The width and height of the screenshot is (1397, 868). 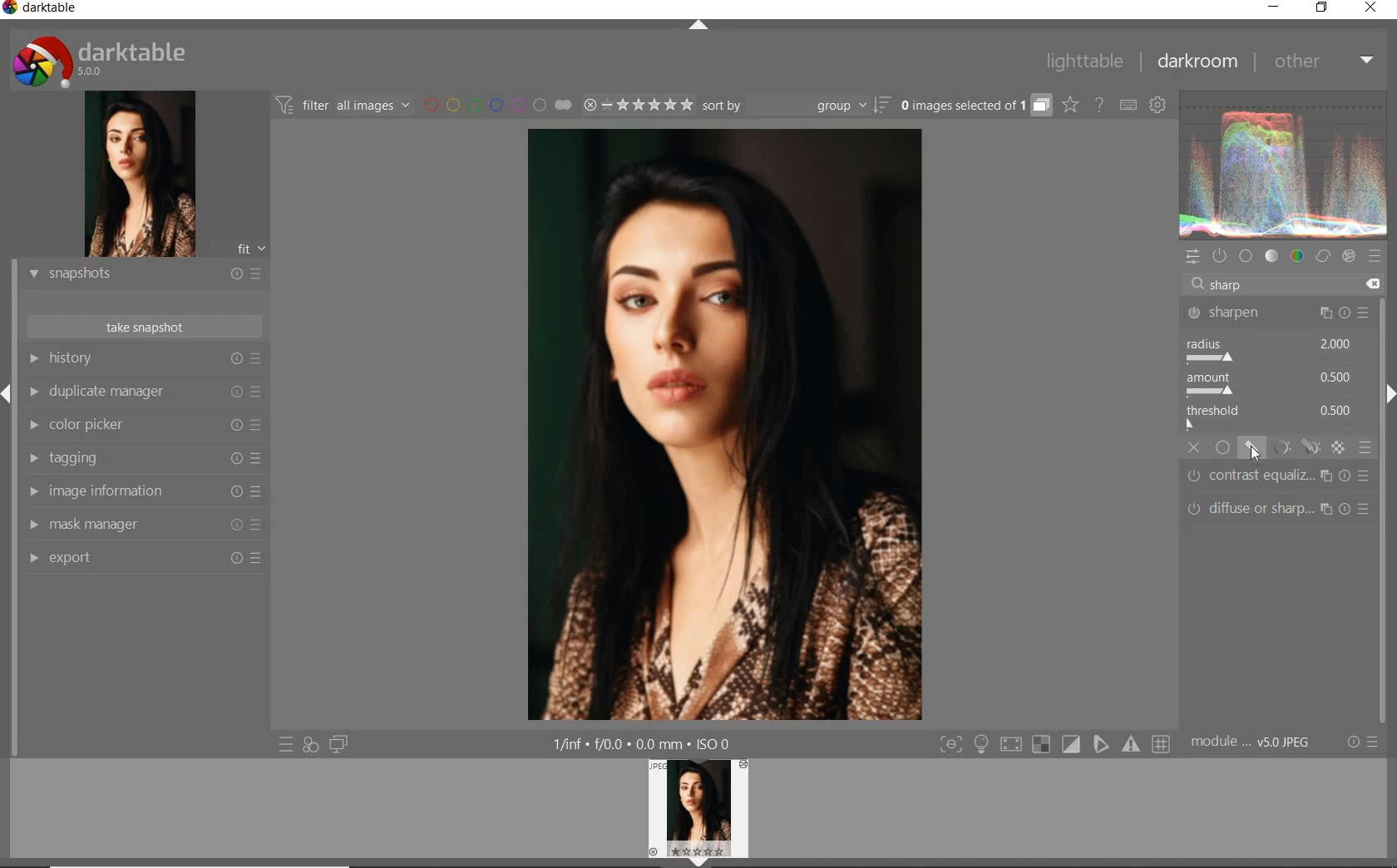 What do you see at coordinates (1222, 448) in the screenshot?
I see `uniformly` at bounding box center [1222, 448].